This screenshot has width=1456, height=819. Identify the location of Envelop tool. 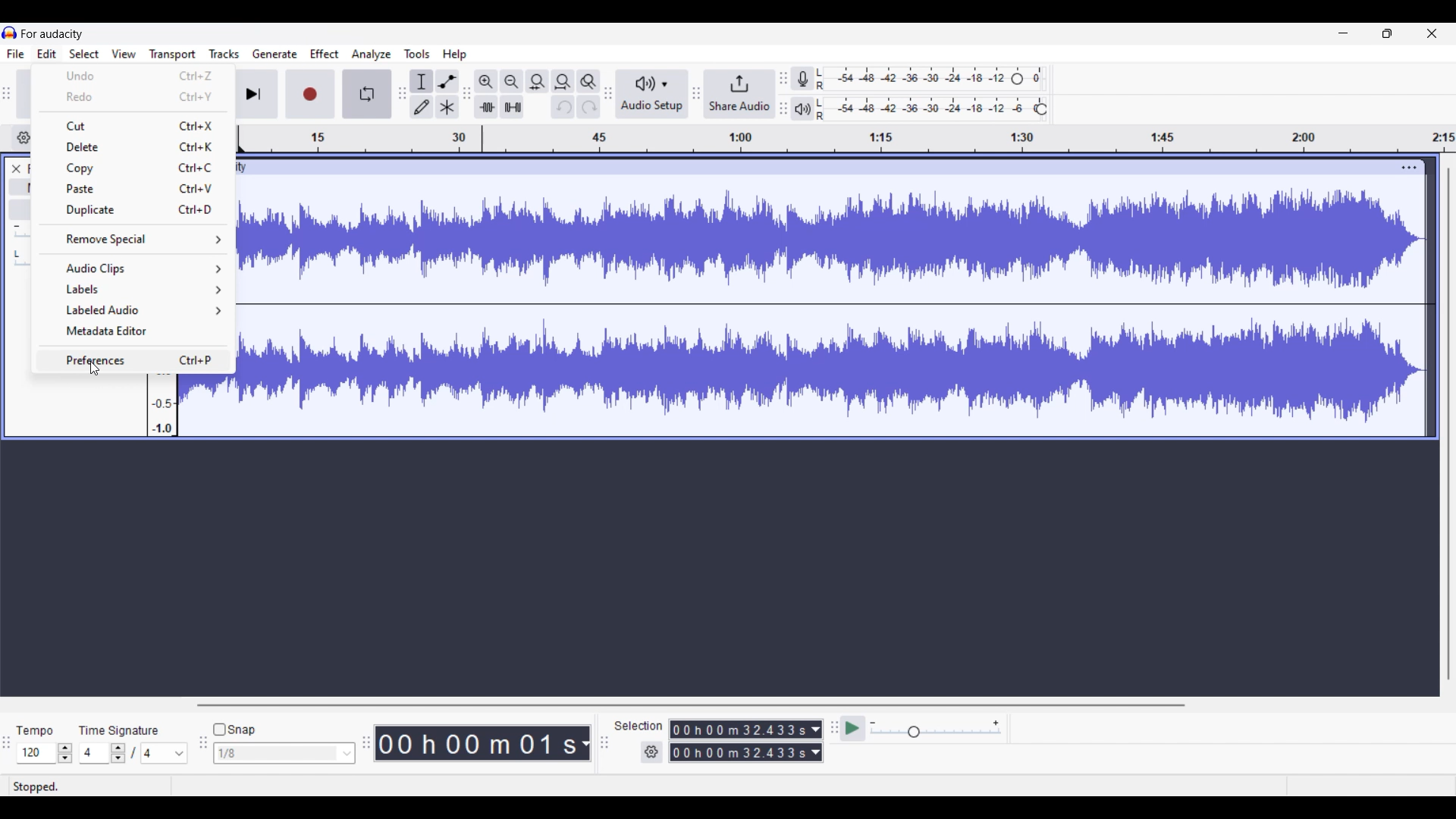
(447, 82).